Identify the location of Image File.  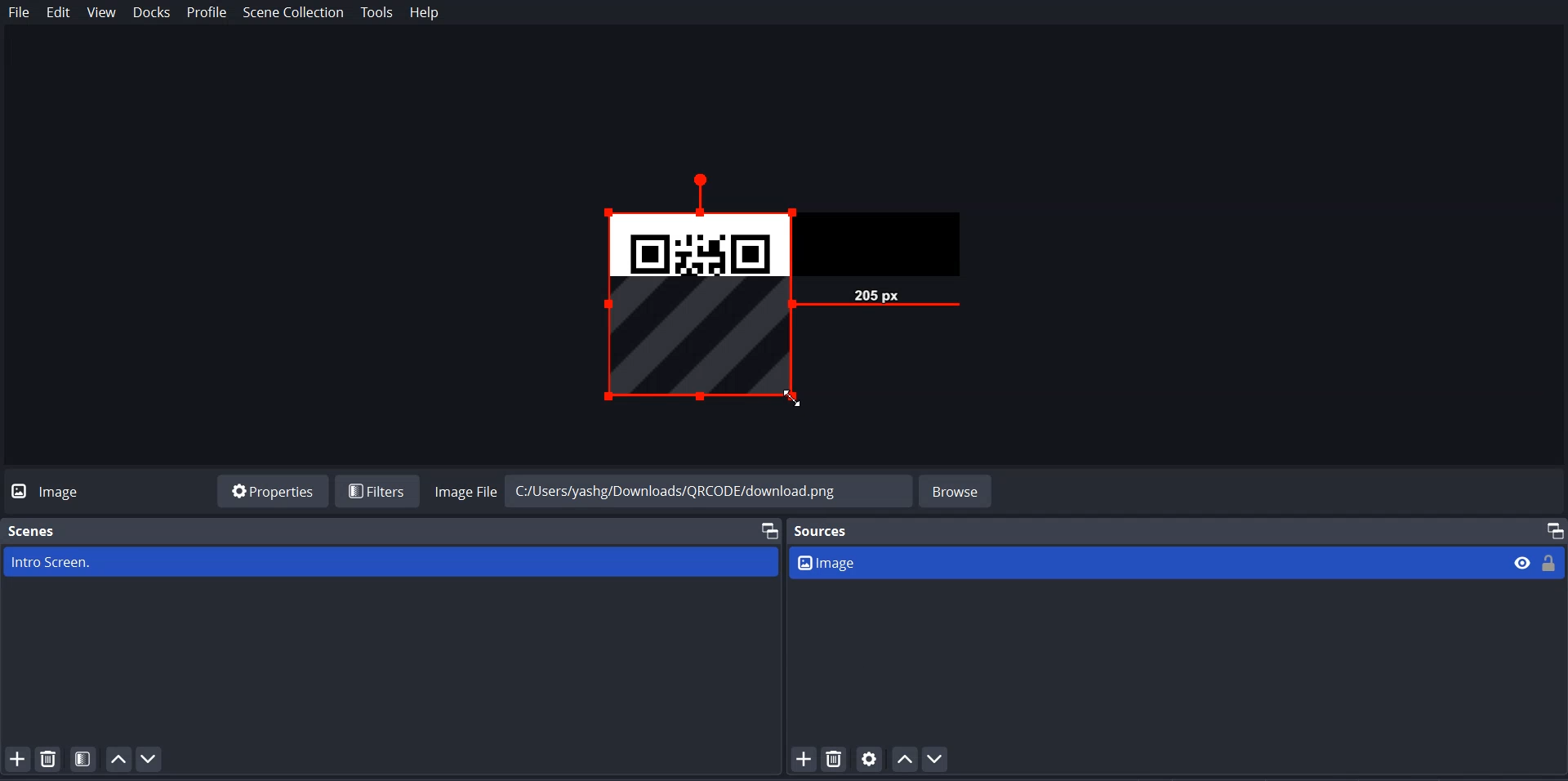
(465, 489).